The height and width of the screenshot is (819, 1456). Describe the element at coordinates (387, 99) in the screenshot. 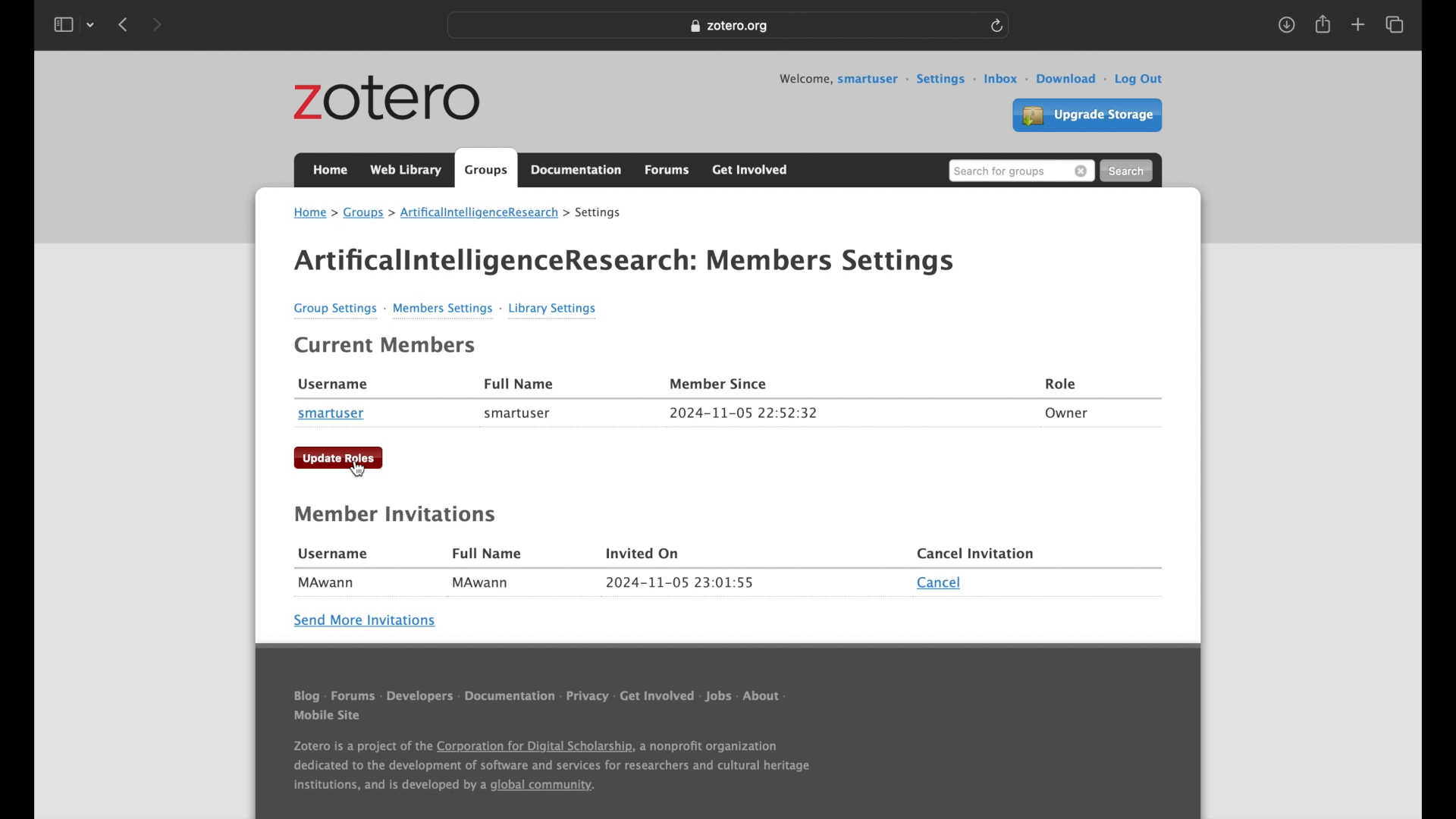

I see `zotero` at that location.